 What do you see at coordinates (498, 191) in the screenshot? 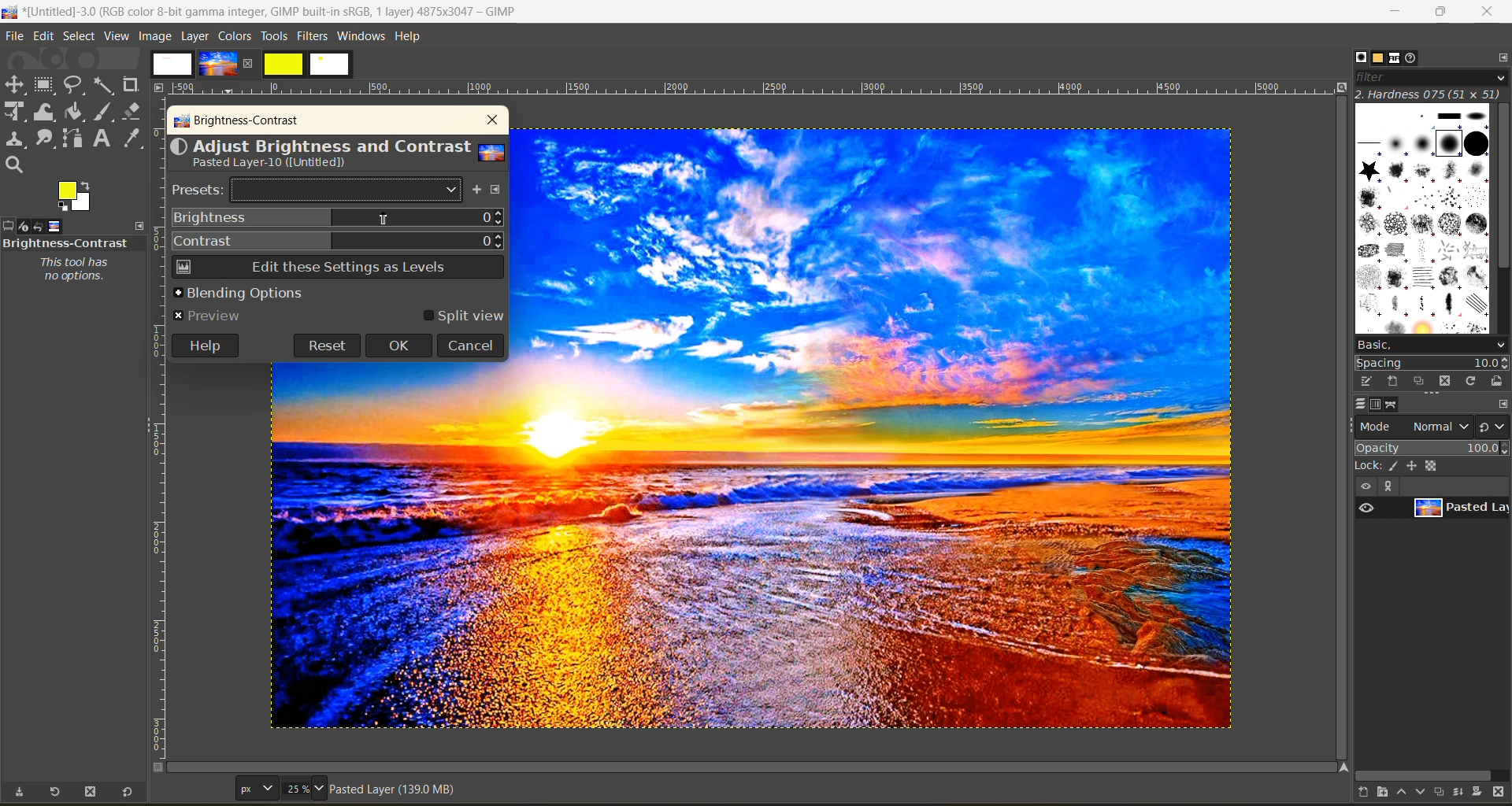
I see `configure` at bounding box center [498, 191].